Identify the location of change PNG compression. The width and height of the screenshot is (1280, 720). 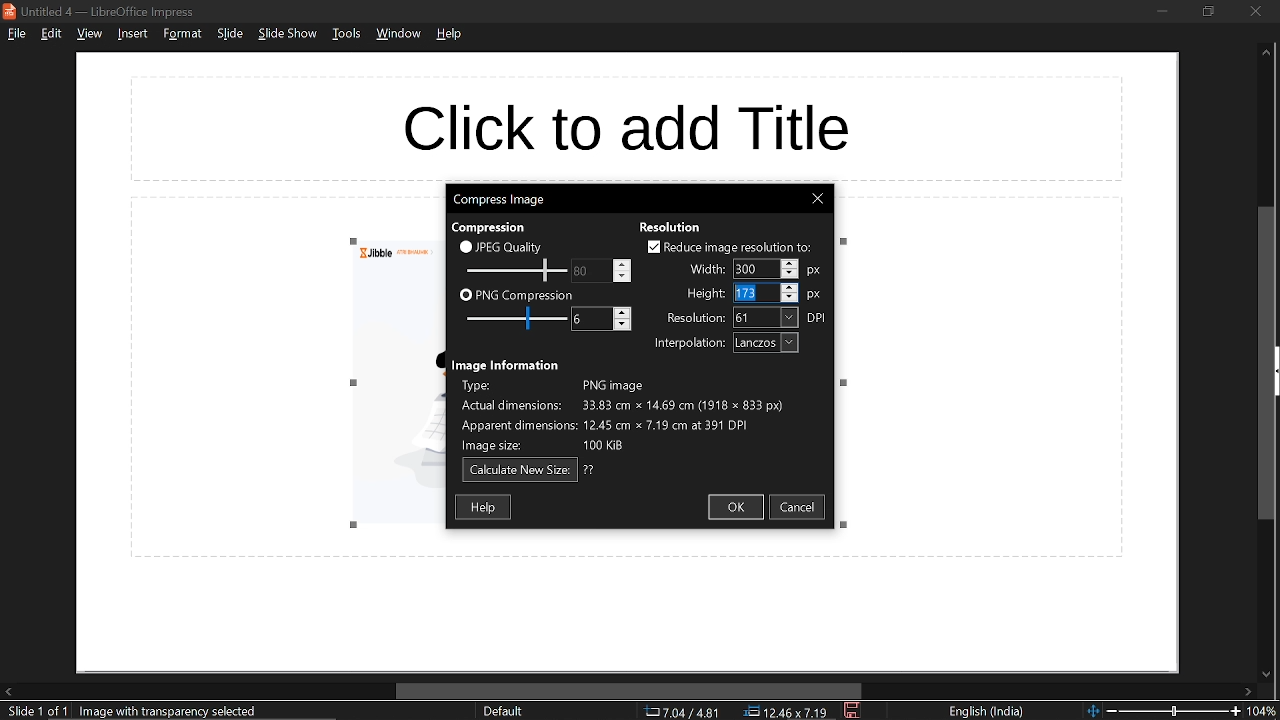
(582, 318).